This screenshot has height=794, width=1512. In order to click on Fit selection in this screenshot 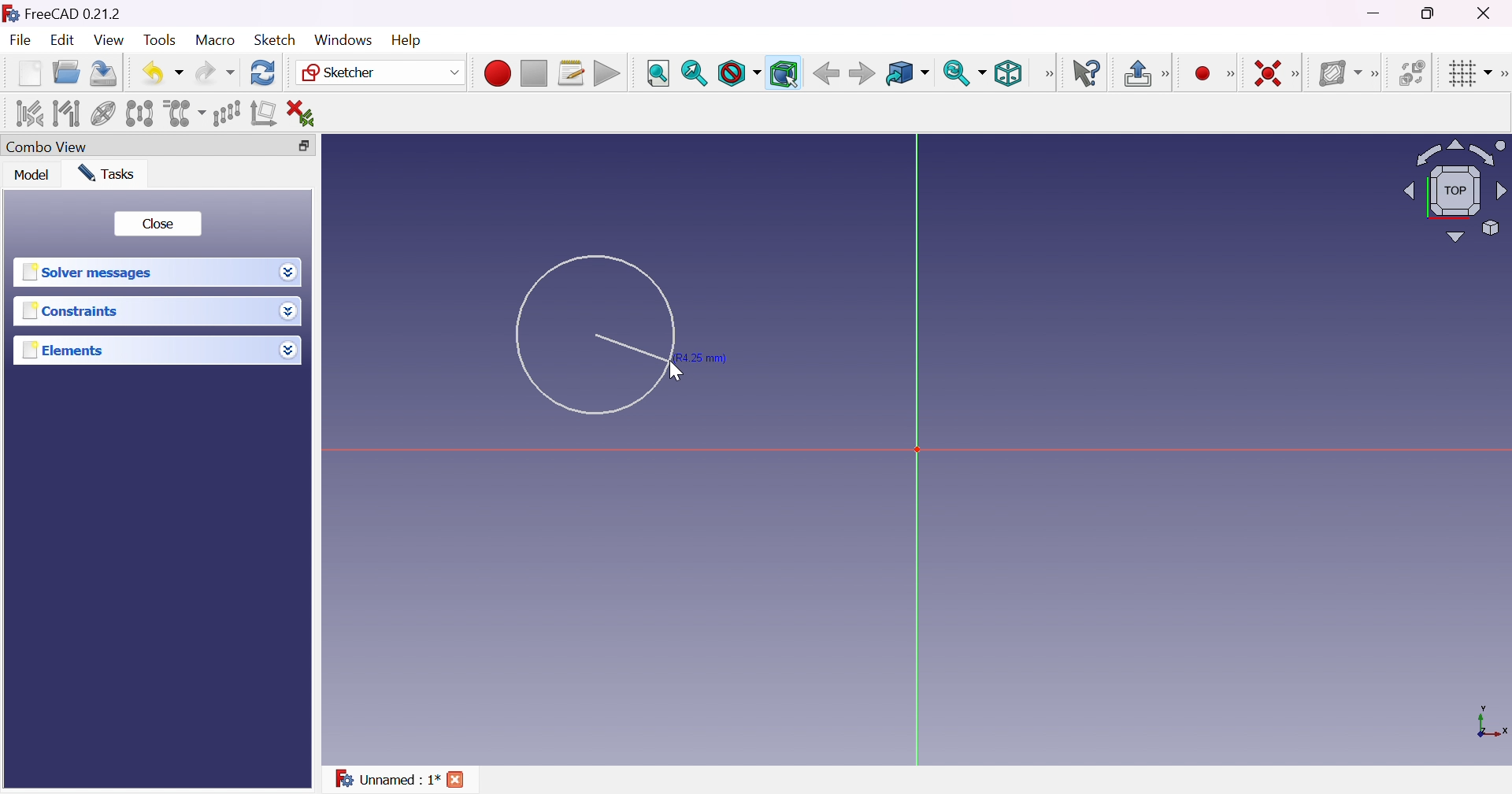, I will do `click(693, 74)`.